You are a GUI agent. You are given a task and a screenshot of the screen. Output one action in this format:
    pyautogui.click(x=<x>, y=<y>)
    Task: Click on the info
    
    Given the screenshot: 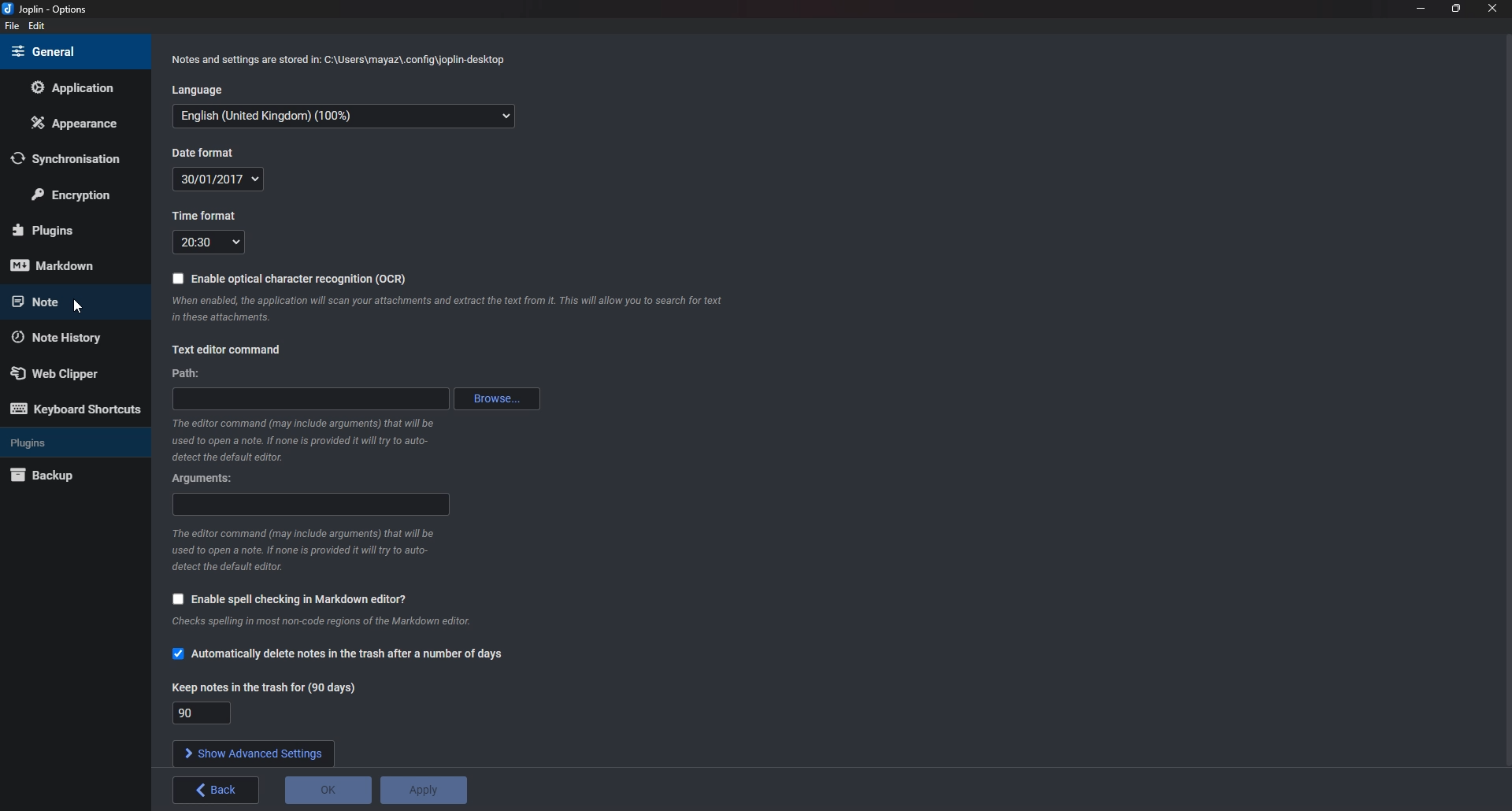 What is the action you would take?
    pyautogui.click(x=310, y=439)
    